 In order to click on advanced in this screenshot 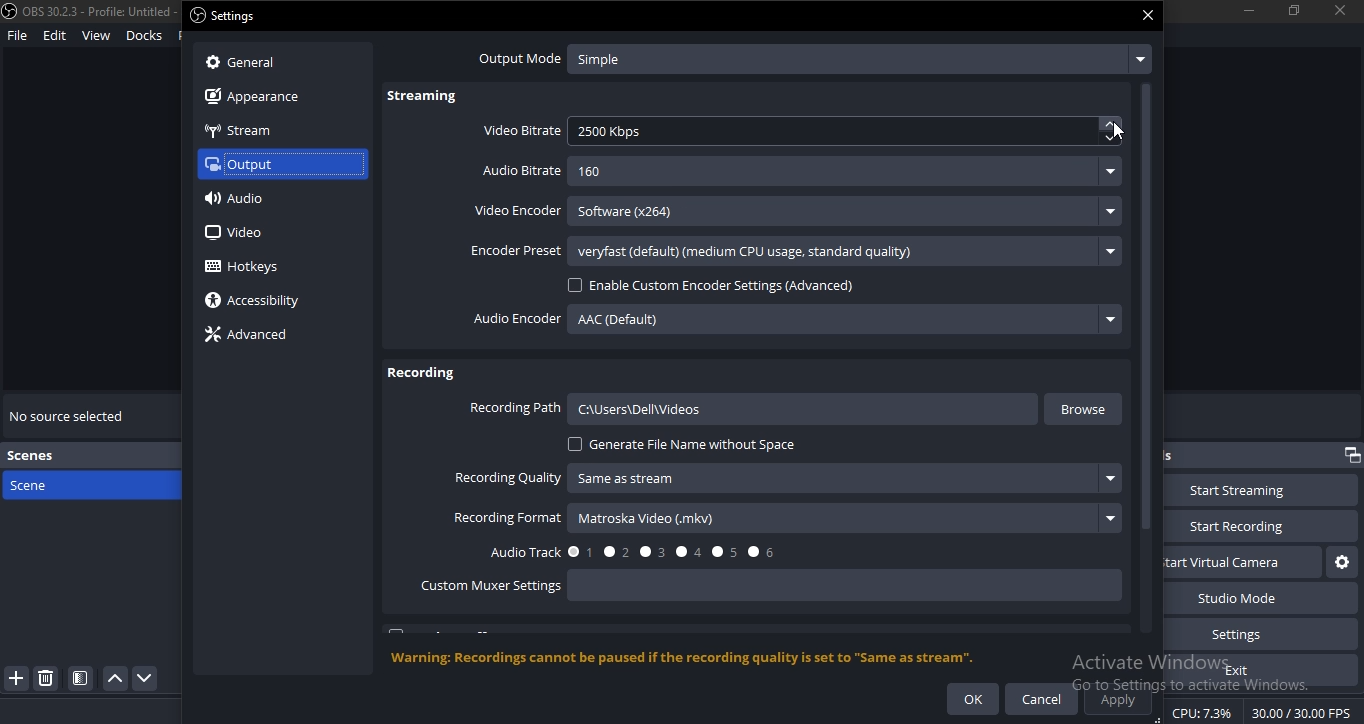, I will do `click(251, 335)`.